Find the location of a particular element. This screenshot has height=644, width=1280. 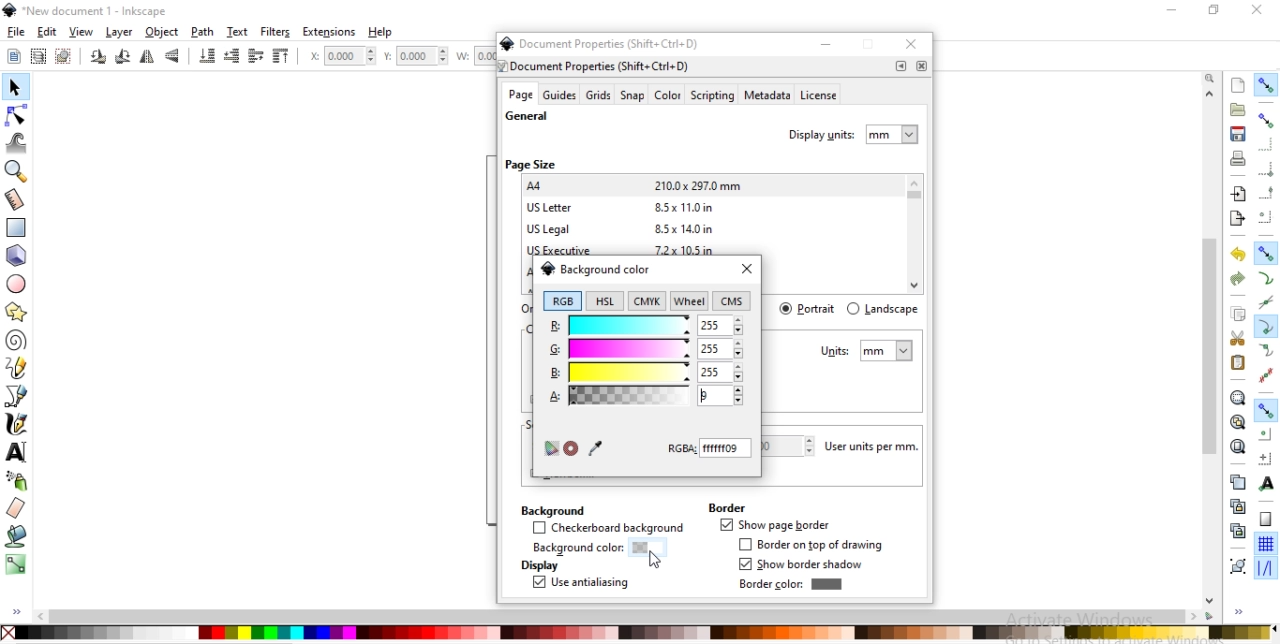

zoom to fit page is located at coordinates (1237, 446).